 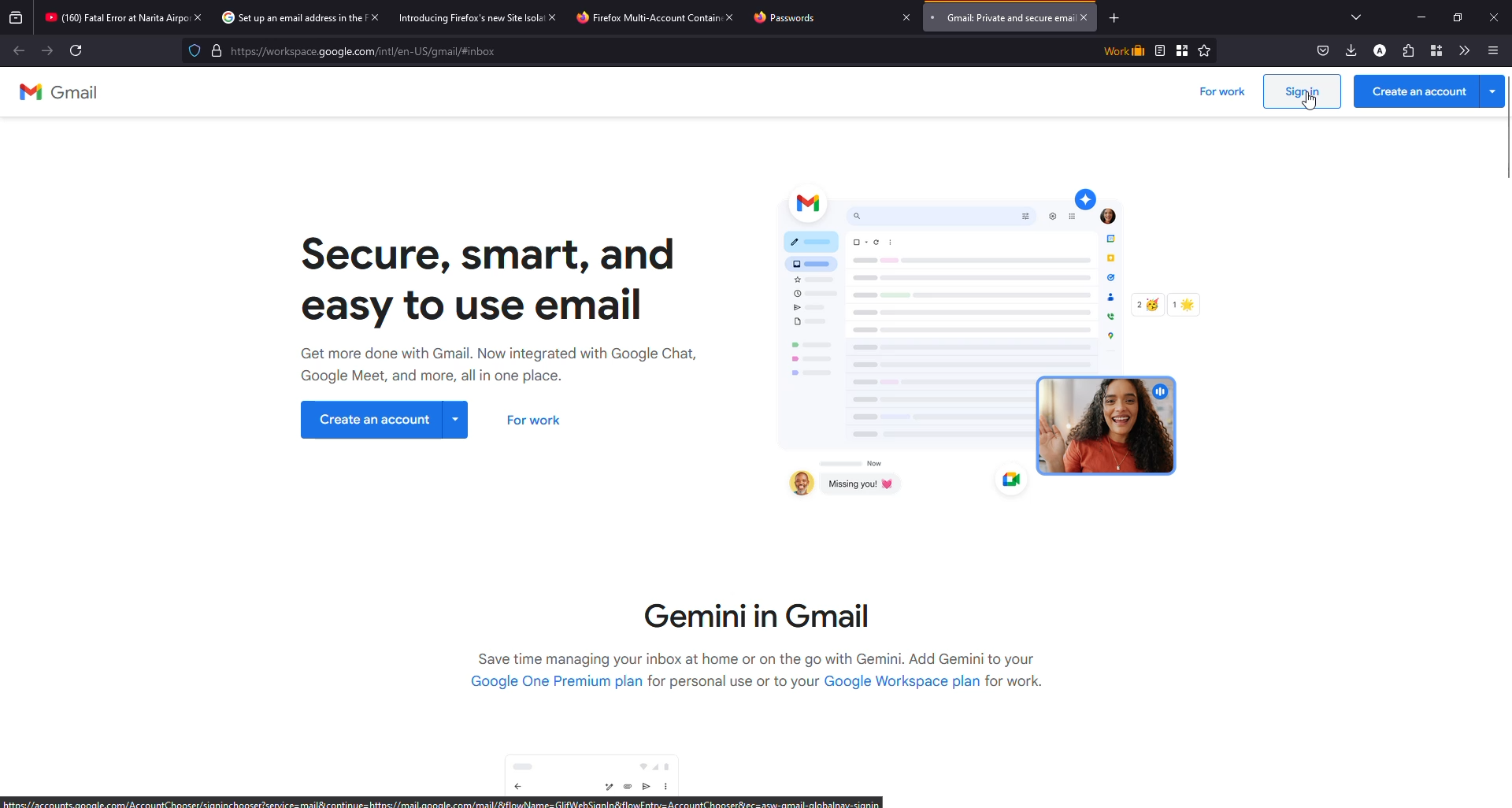 What do you see at coordinates (978, 336) in the screenshot?
I see `Image` at bounding box center [978, 336].